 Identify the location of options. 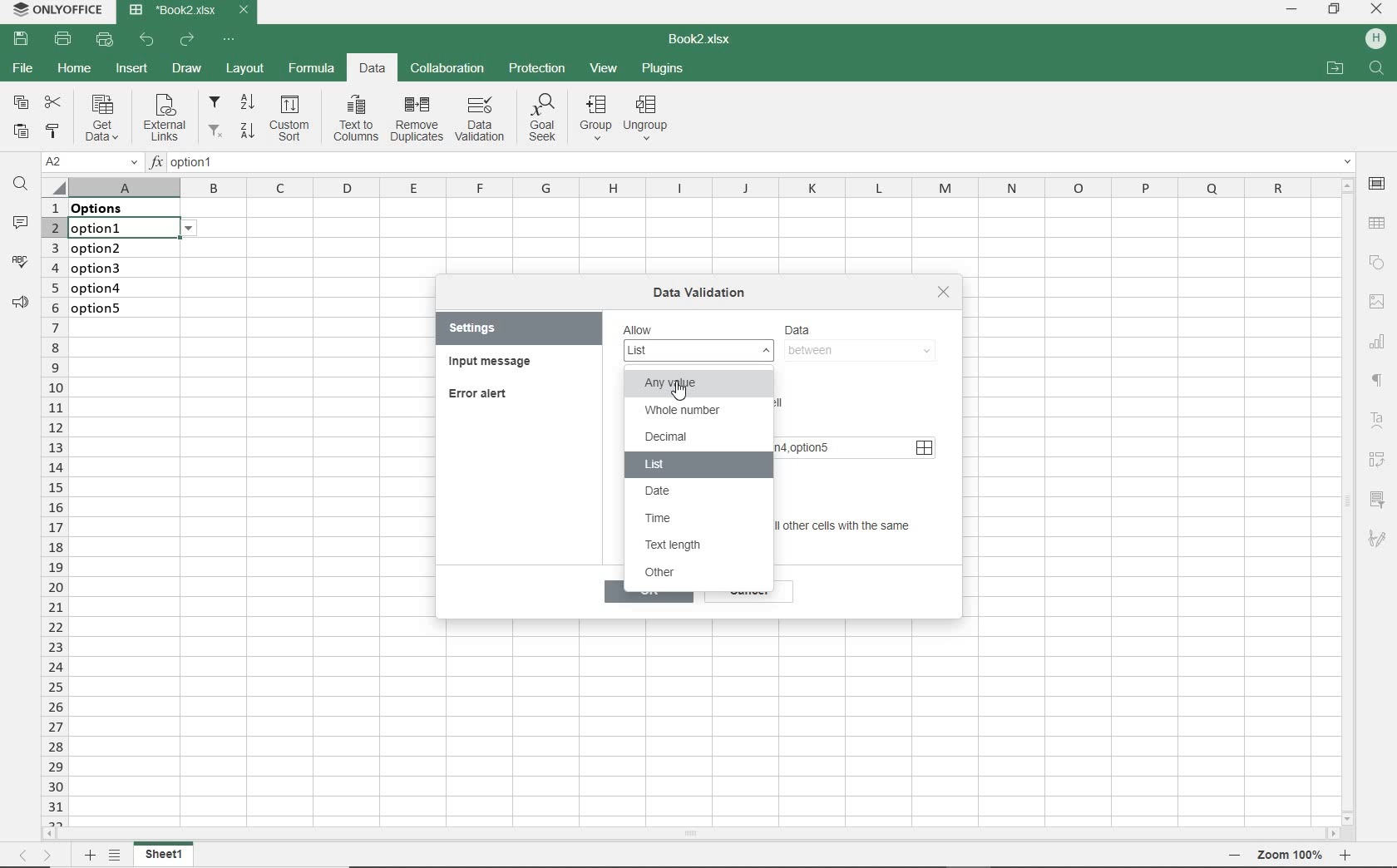
(194, 228).